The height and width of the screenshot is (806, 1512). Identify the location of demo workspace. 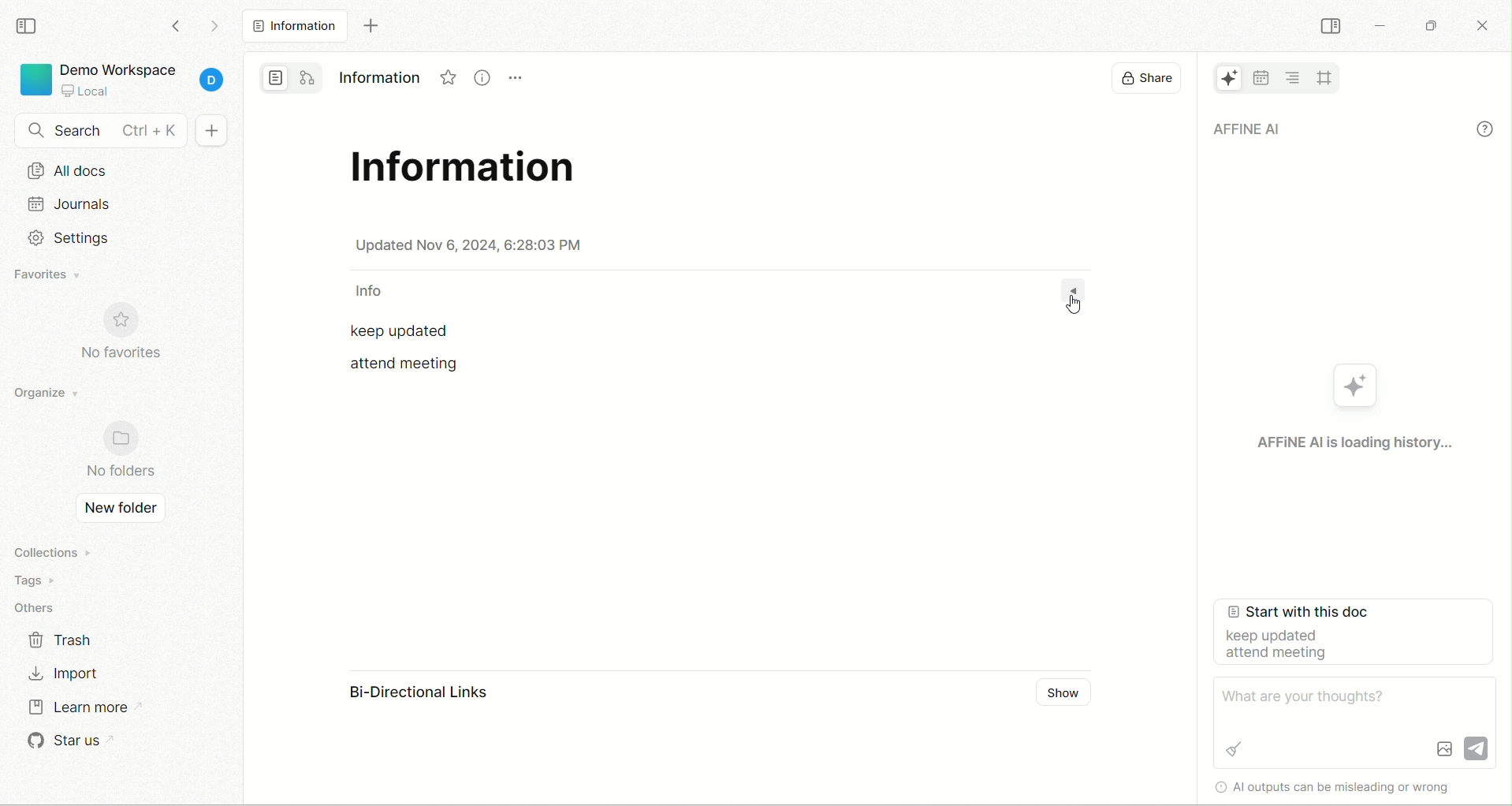
(117, 67).